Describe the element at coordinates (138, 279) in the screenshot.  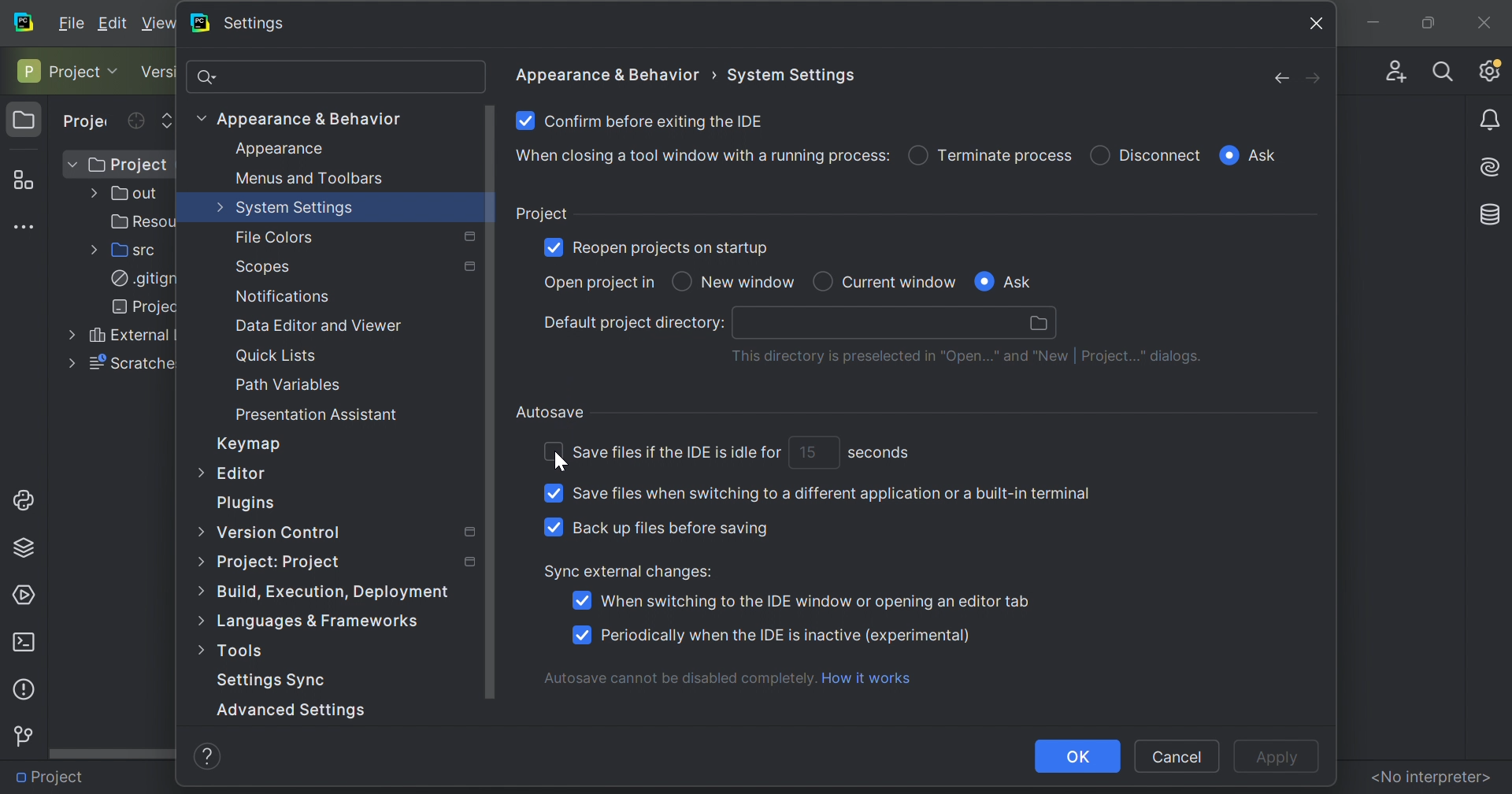
I see `.gitignore` at that location.